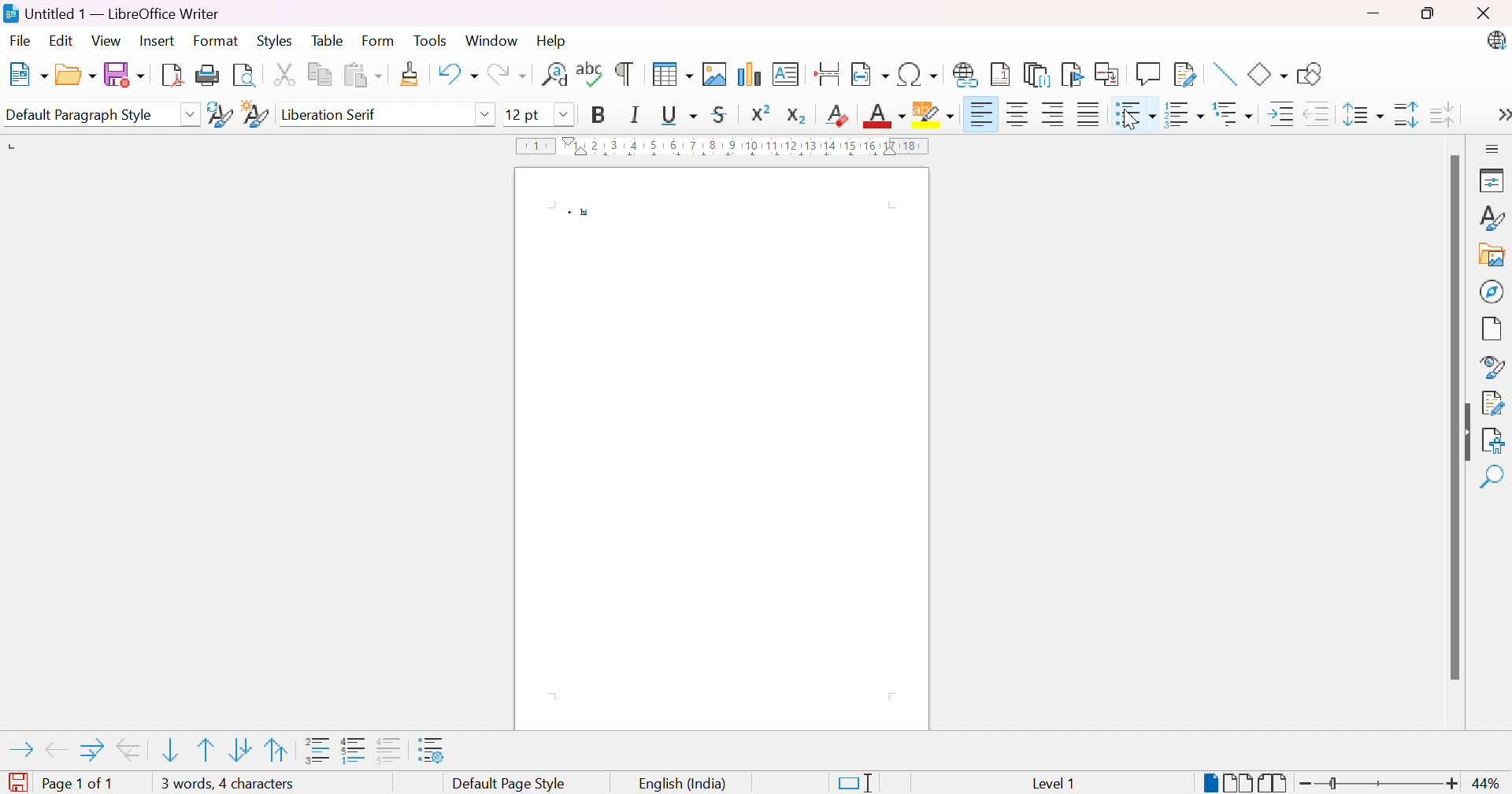 The image size is (1512, 794). Describe the element at coordinates (329, 113) in the screenshot. I see `Liberation serif` at that location.